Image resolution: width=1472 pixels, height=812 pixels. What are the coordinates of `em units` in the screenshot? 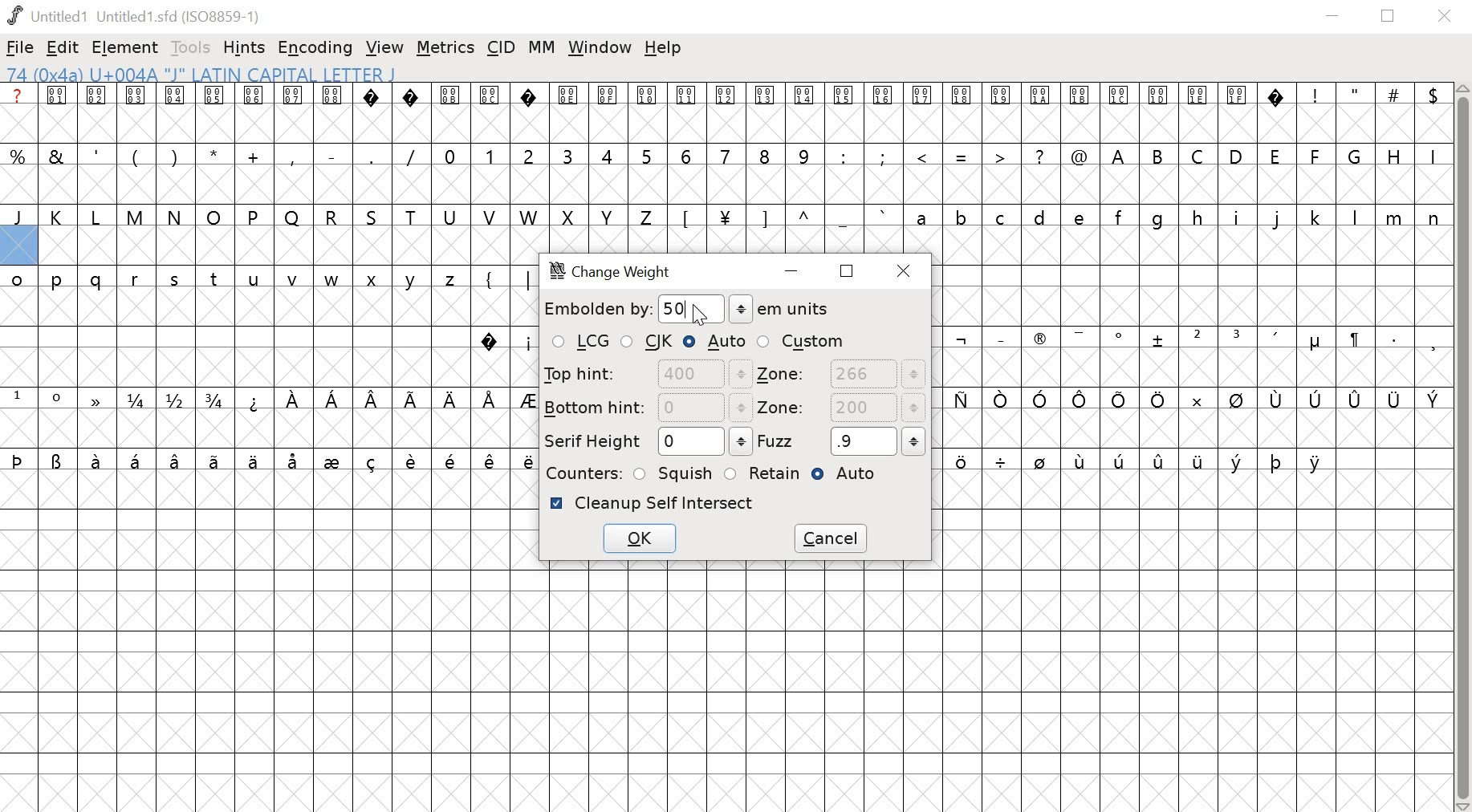 It's located at (780, 309).